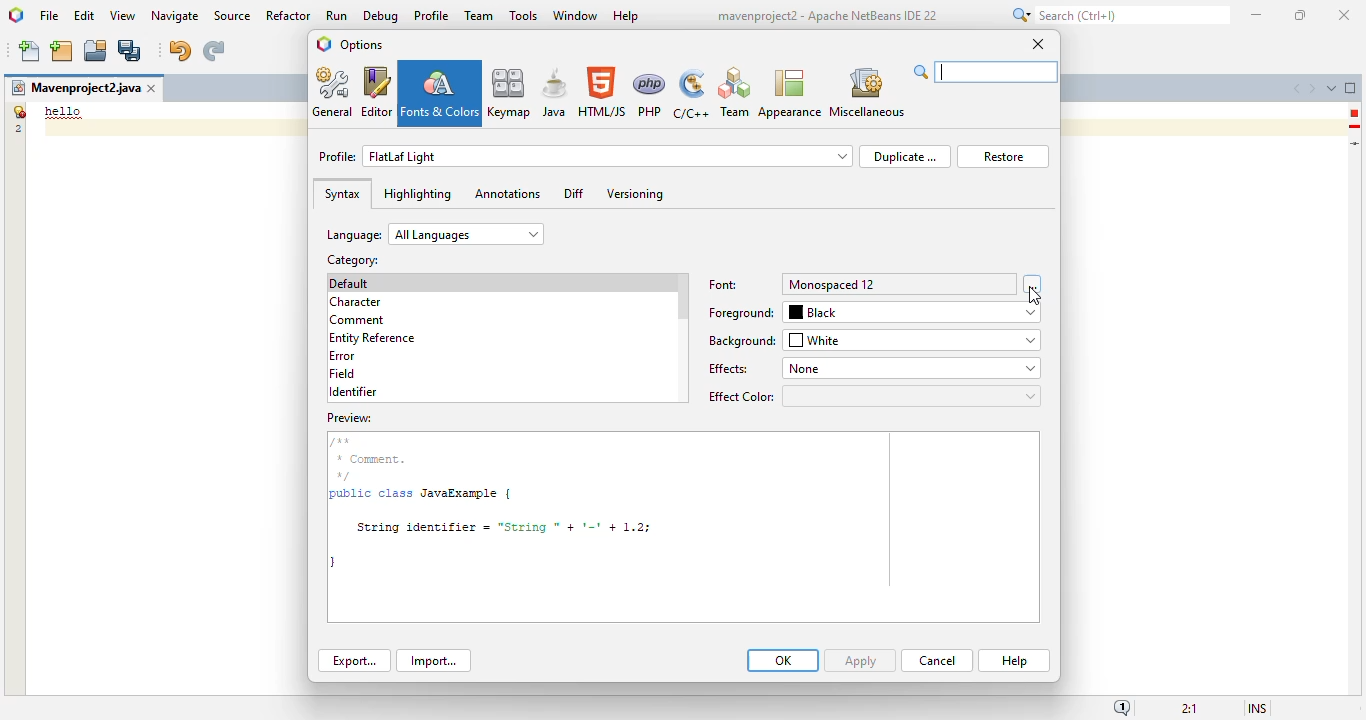  Describe the element at coordinates (355, 660) in the screenshot. I see `export` at that location.